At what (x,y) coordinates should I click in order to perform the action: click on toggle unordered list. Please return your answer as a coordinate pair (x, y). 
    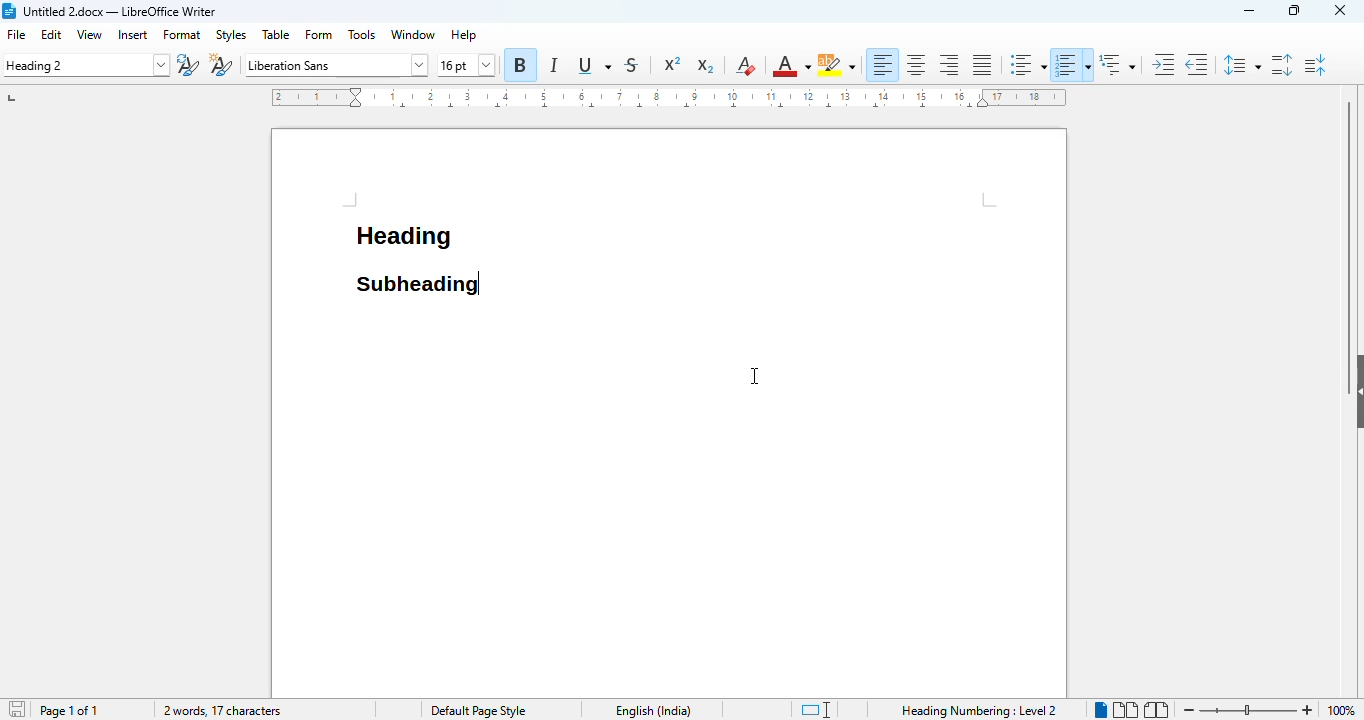
    Looking at the image, I should click on (1026, 65).